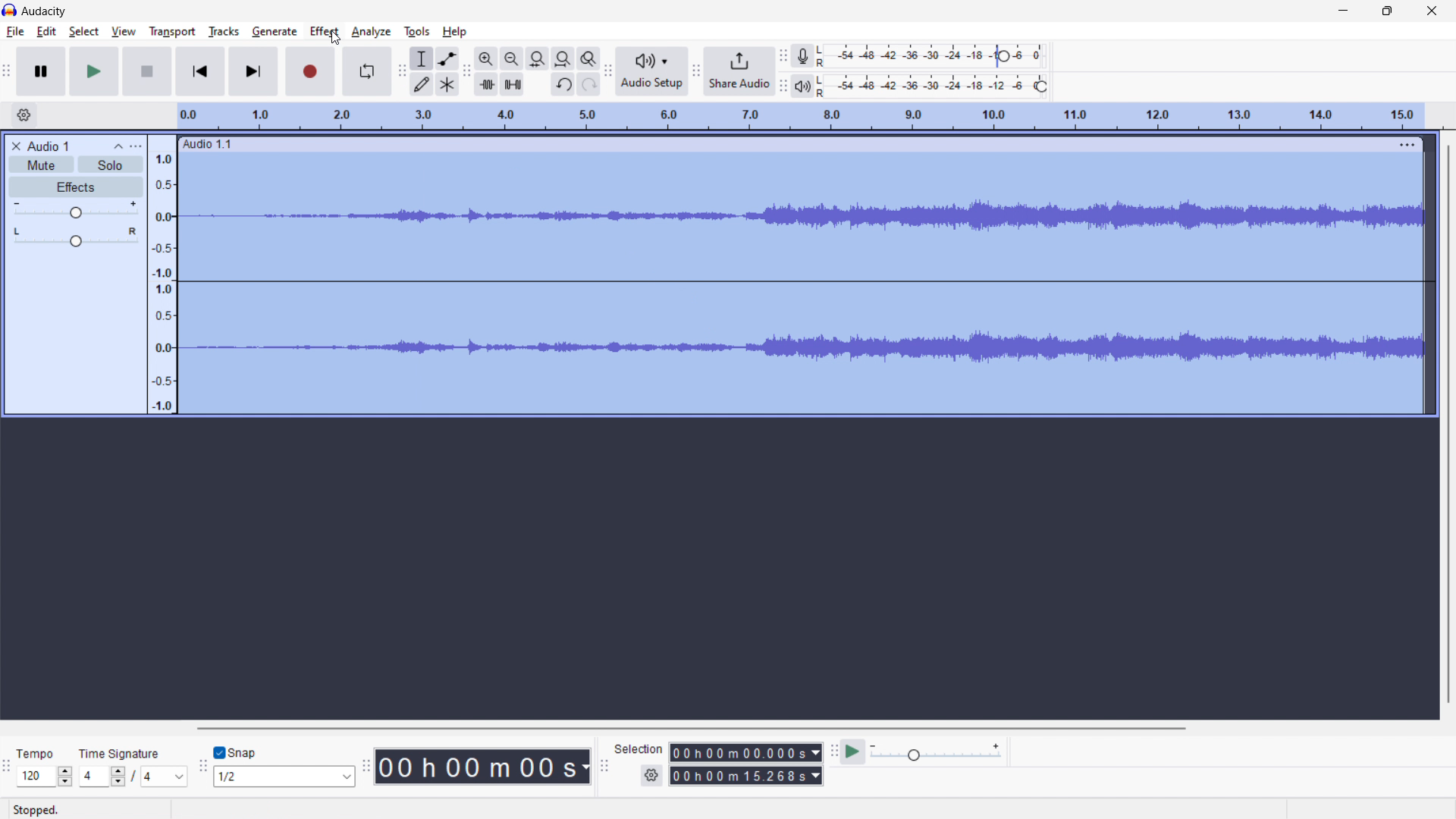  Describe the element at coordinates (511, 58) in the screenshot. I see `zoom out` at that location.